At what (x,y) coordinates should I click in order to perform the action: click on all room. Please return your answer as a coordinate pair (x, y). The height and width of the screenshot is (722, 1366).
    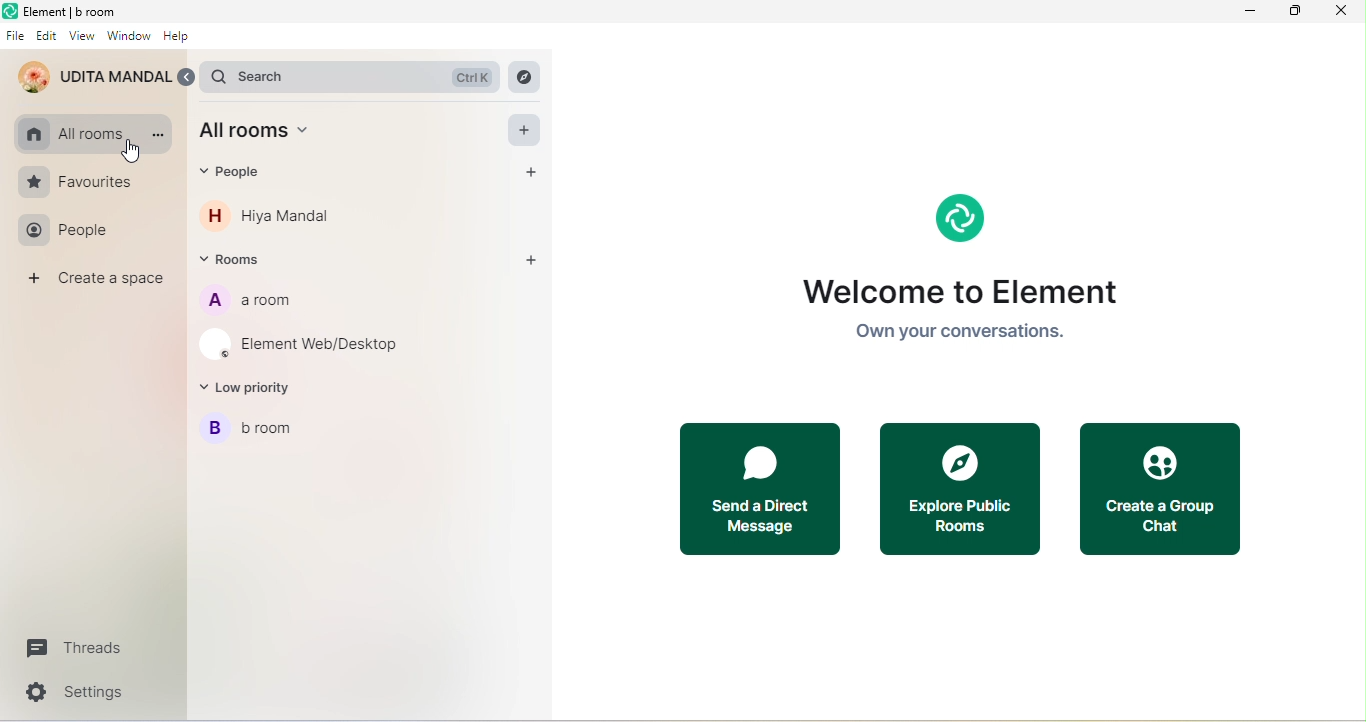
    Looking at the image, I should click on (263, 134).